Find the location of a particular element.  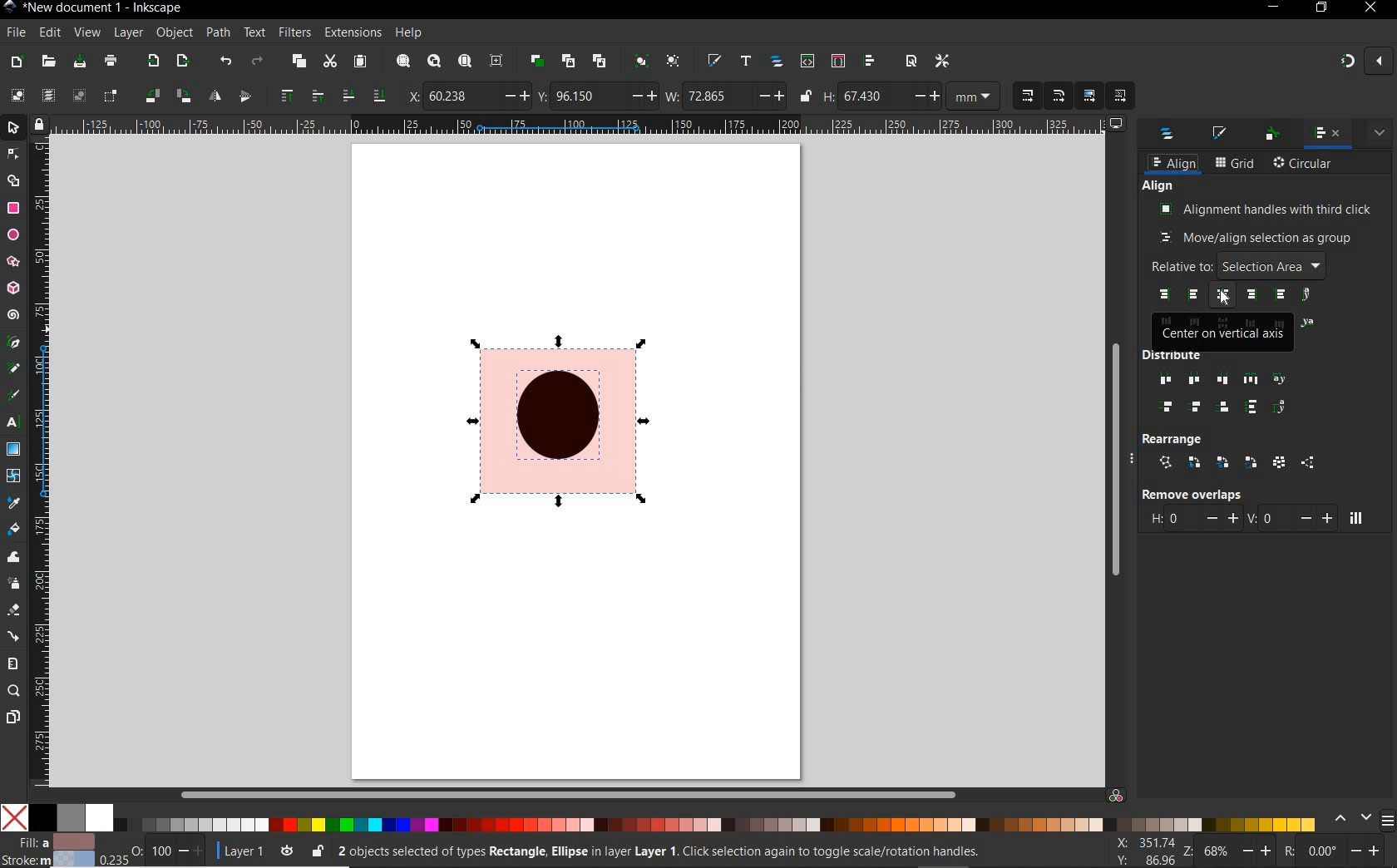

when scaling objects is located at coordinates (1027, 96).